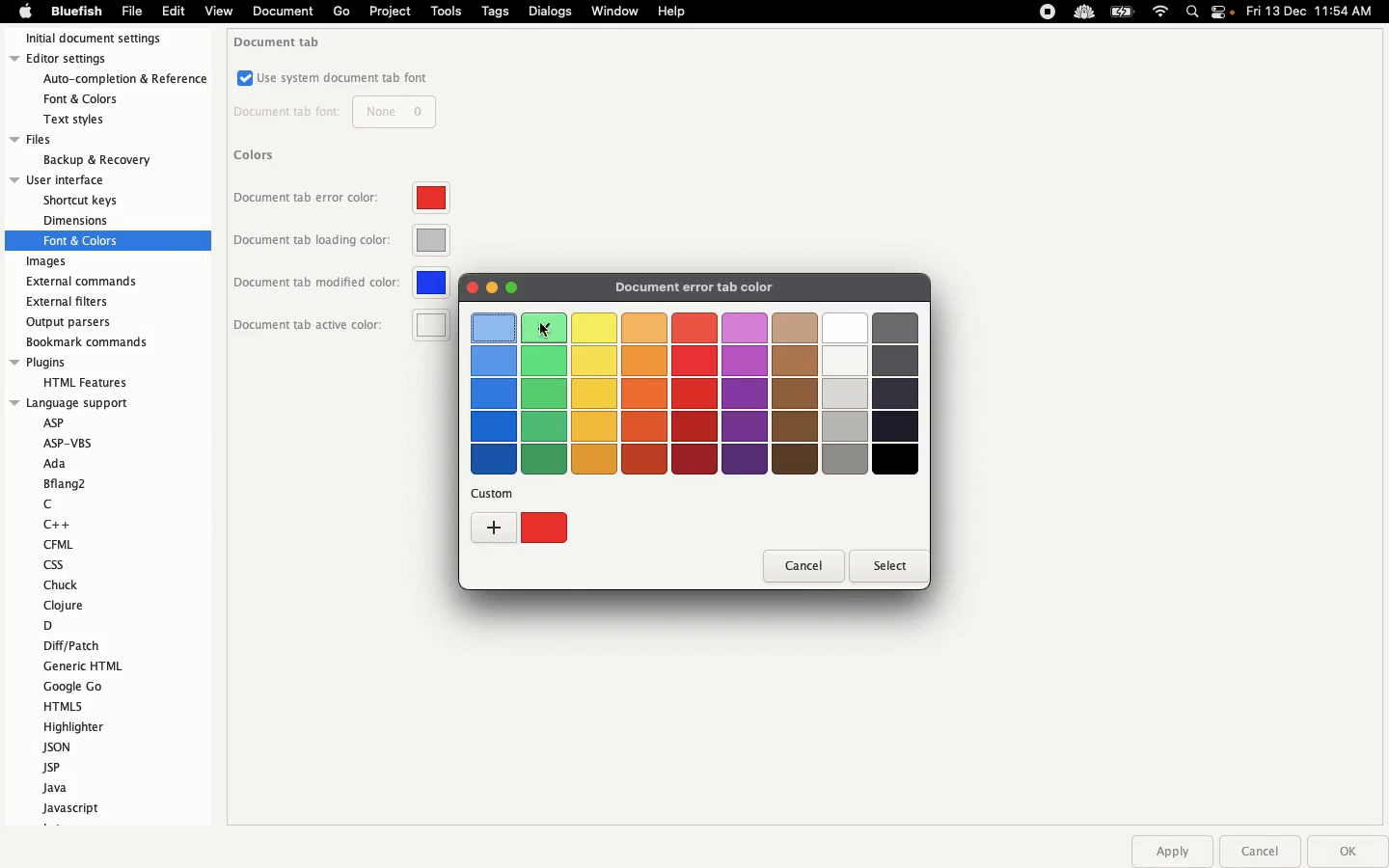 The width and height of the screenshot is (1389, 868). Describe the element at coordinates (126, 80) in the screenshot. I see `auto-completion & refrences` at that location.